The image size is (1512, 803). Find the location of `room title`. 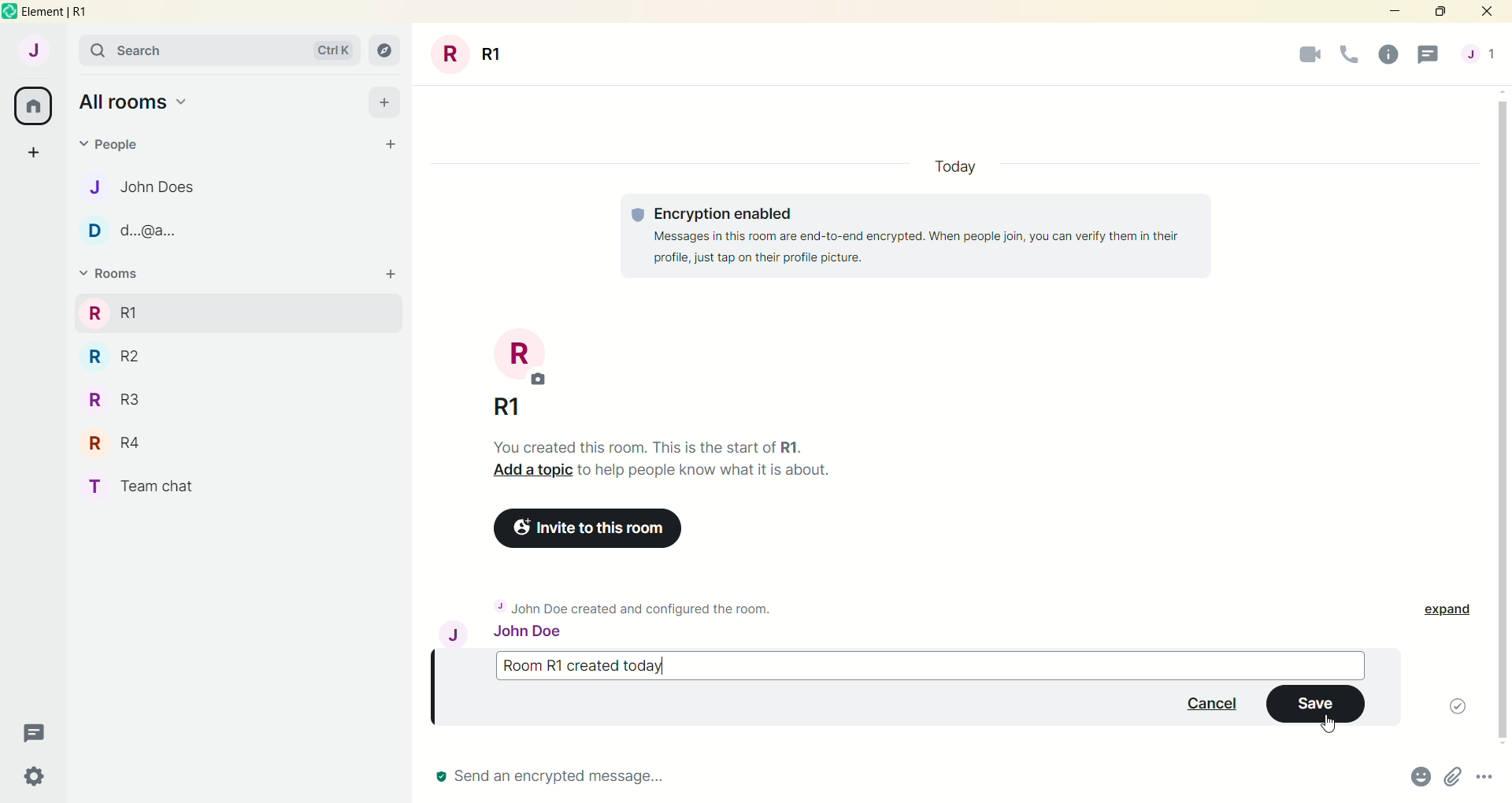

room title is located at coordinates (523, 358).